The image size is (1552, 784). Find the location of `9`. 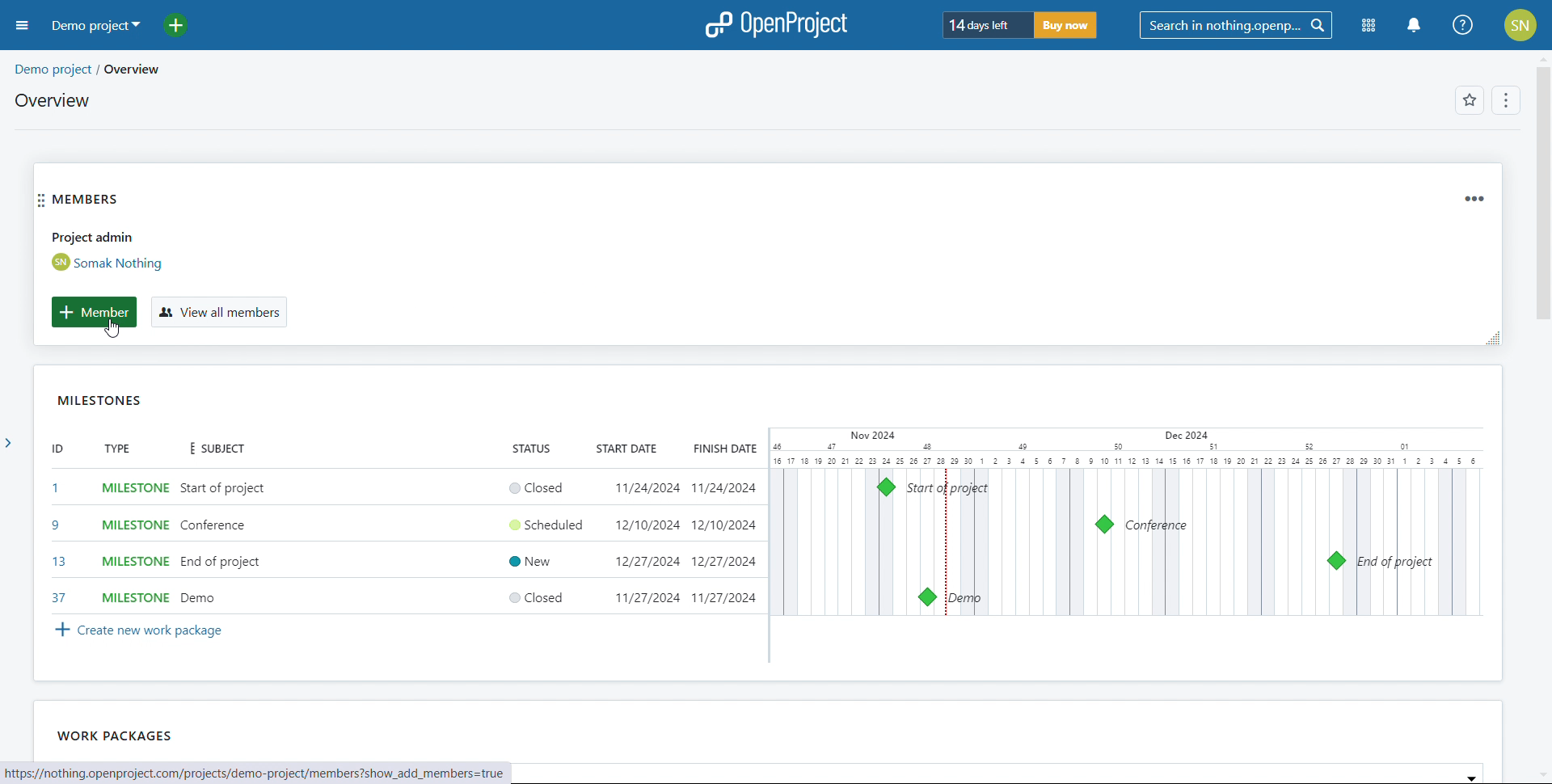

9 is located at coordinates (49, 523).